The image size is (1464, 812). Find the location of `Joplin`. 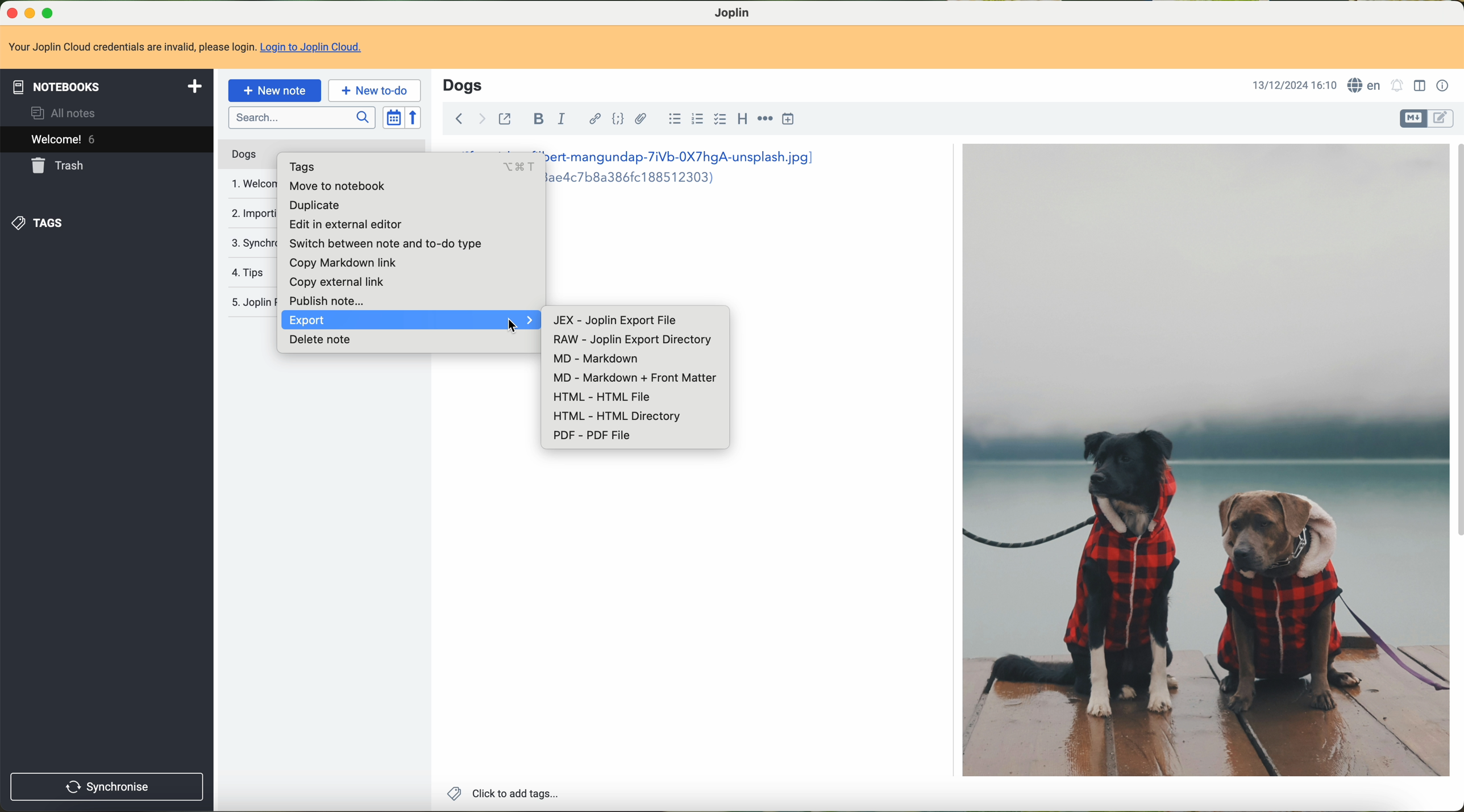

Joplin is located at coordinates (734, 12).